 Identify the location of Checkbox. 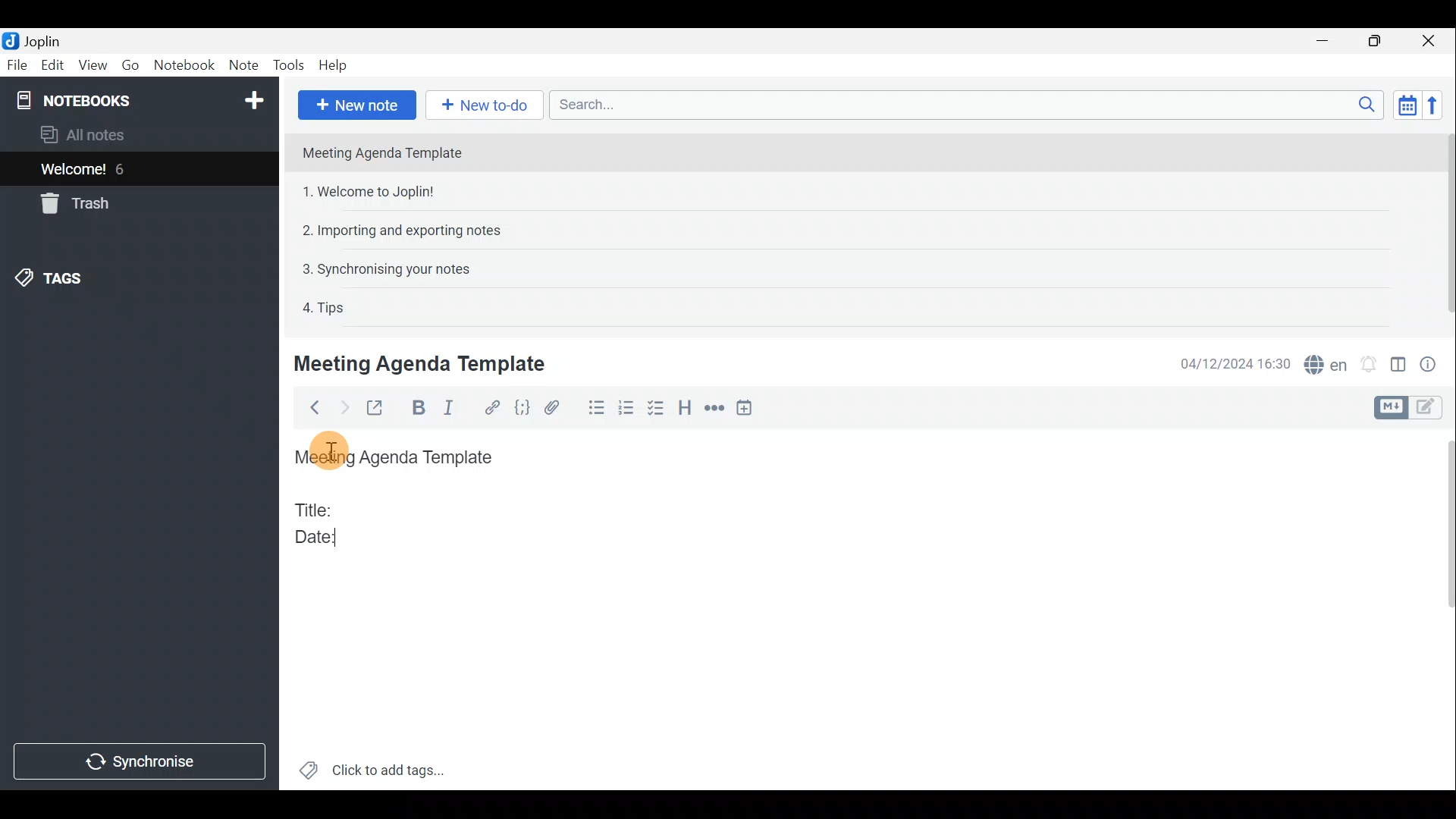
(653, 409).